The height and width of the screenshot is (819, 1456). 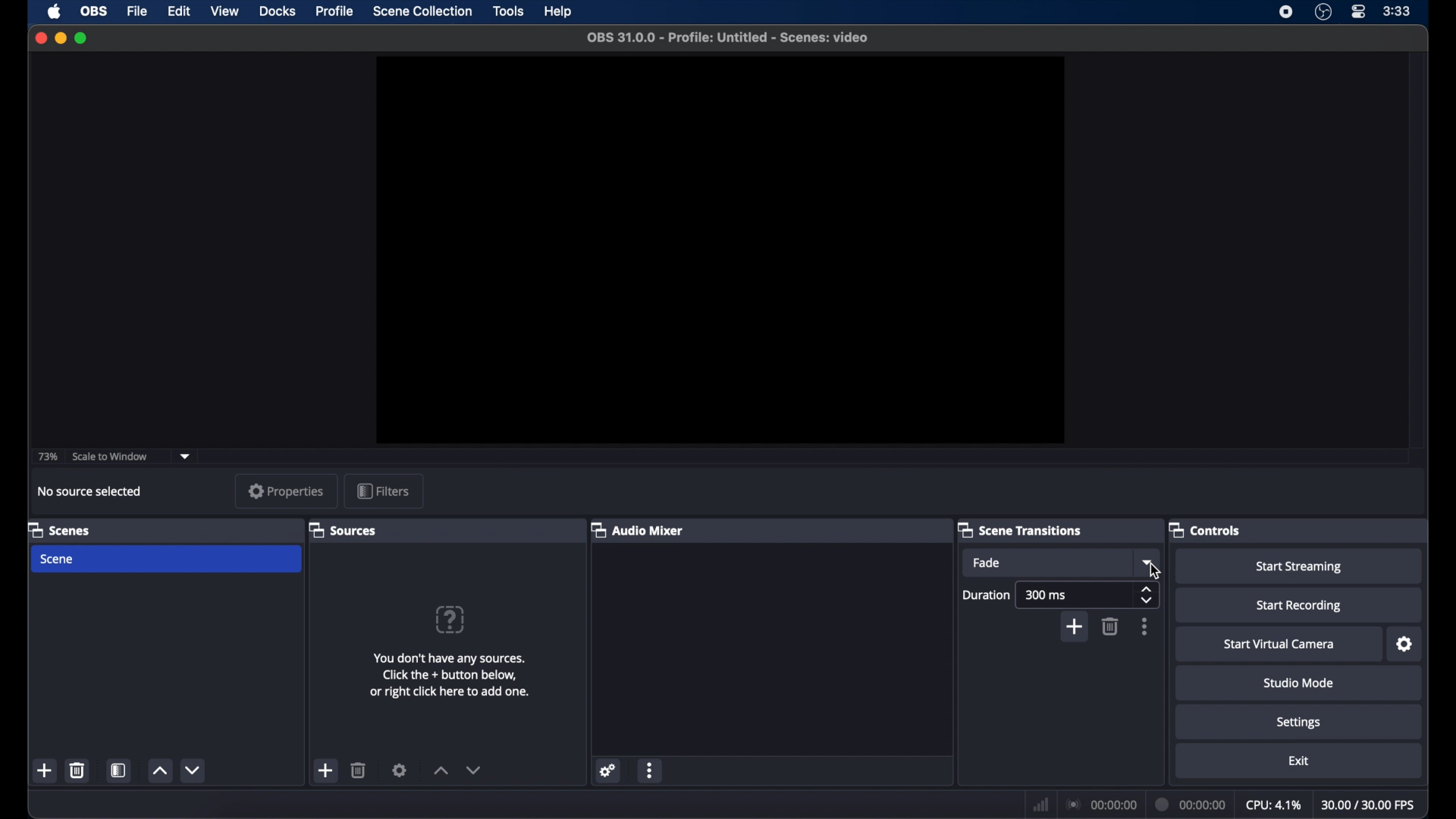 What do you see at coordinates (120, 770) in the screenshot?
I see `scene filters` at bounding box center [120, 770].